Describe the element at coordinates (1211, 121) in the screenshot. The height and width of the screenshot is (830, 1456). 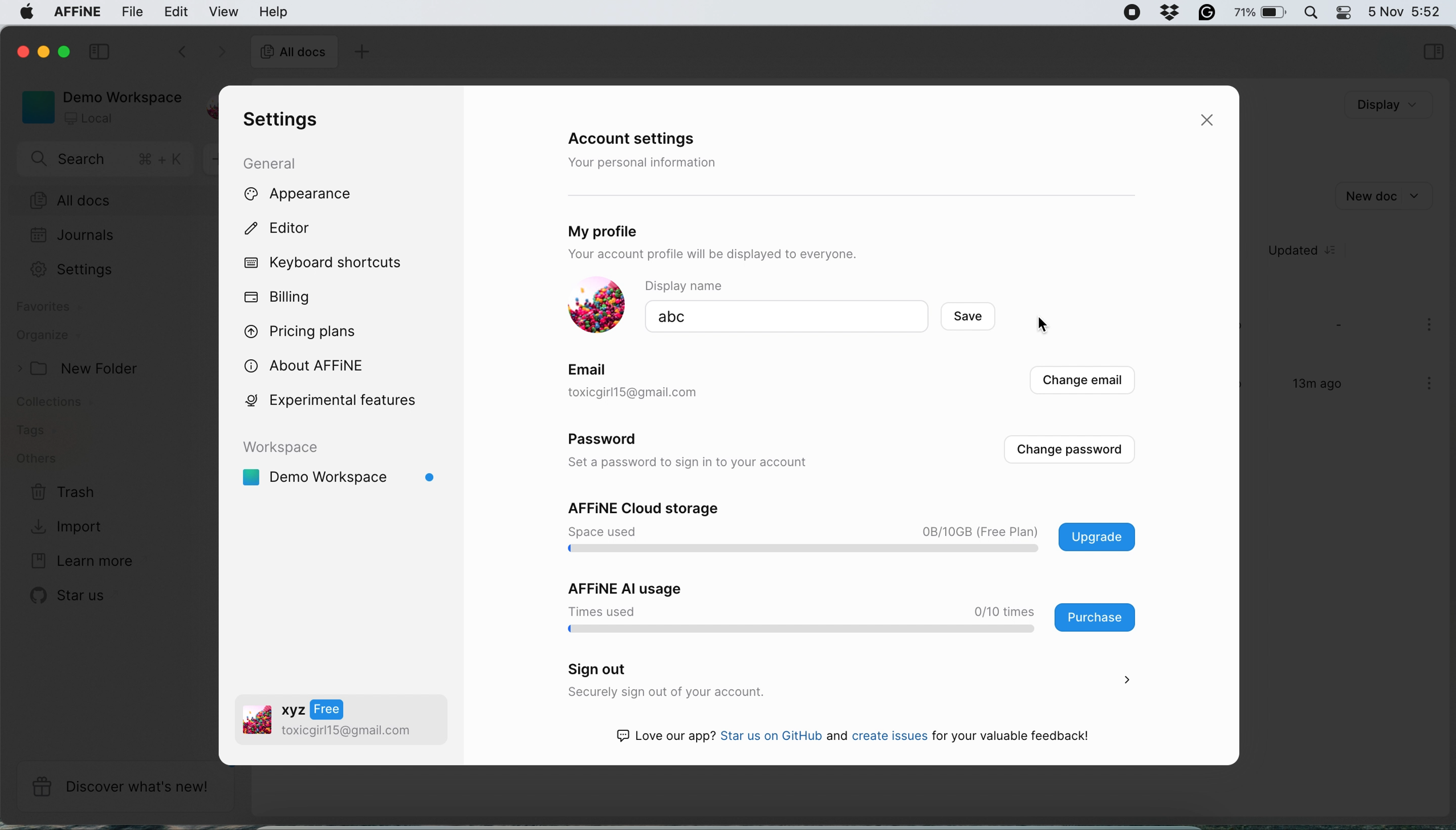
I see `close` at that location.